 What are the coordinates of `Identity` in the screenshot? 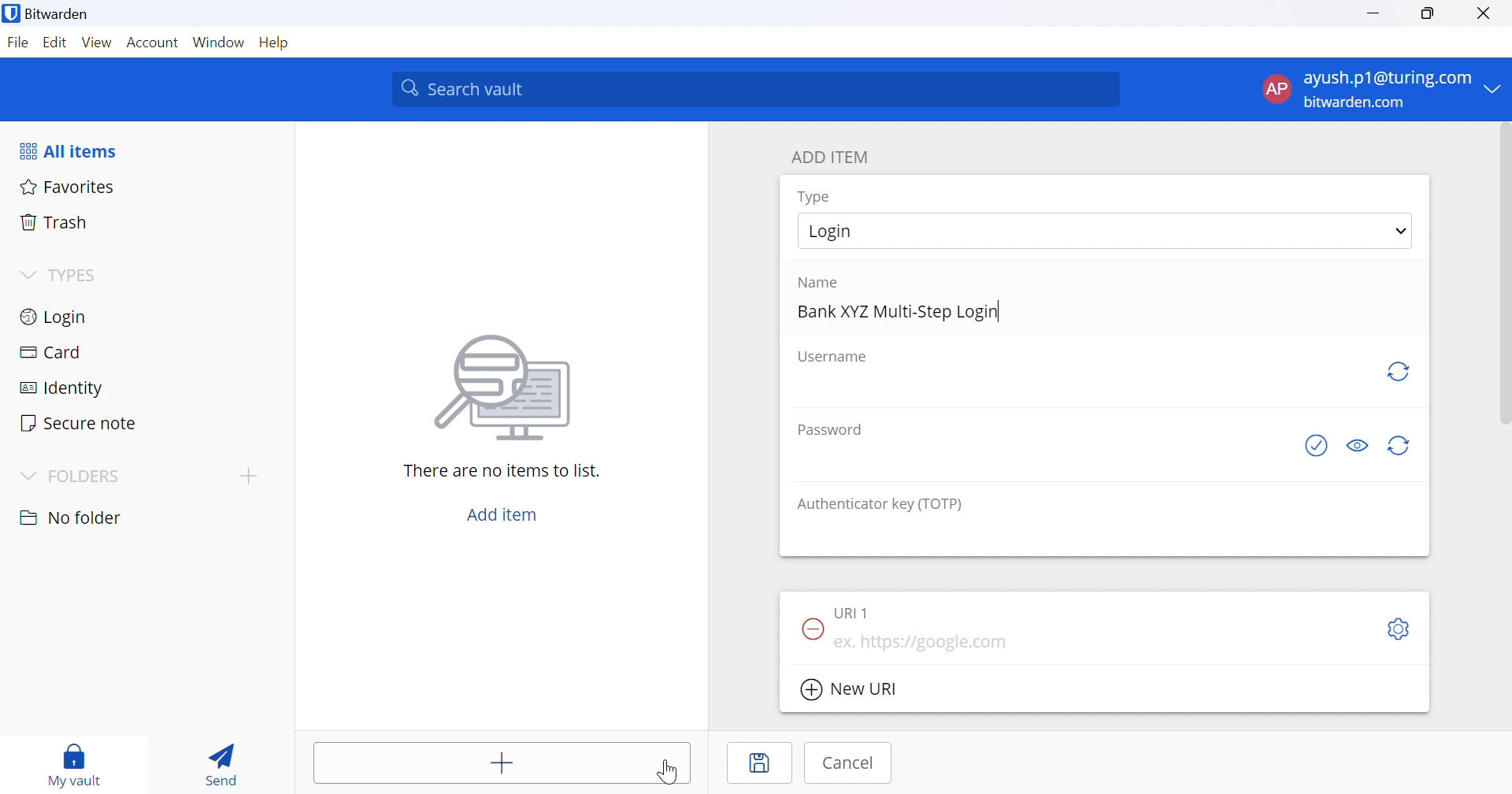 It's located at (62, 388).